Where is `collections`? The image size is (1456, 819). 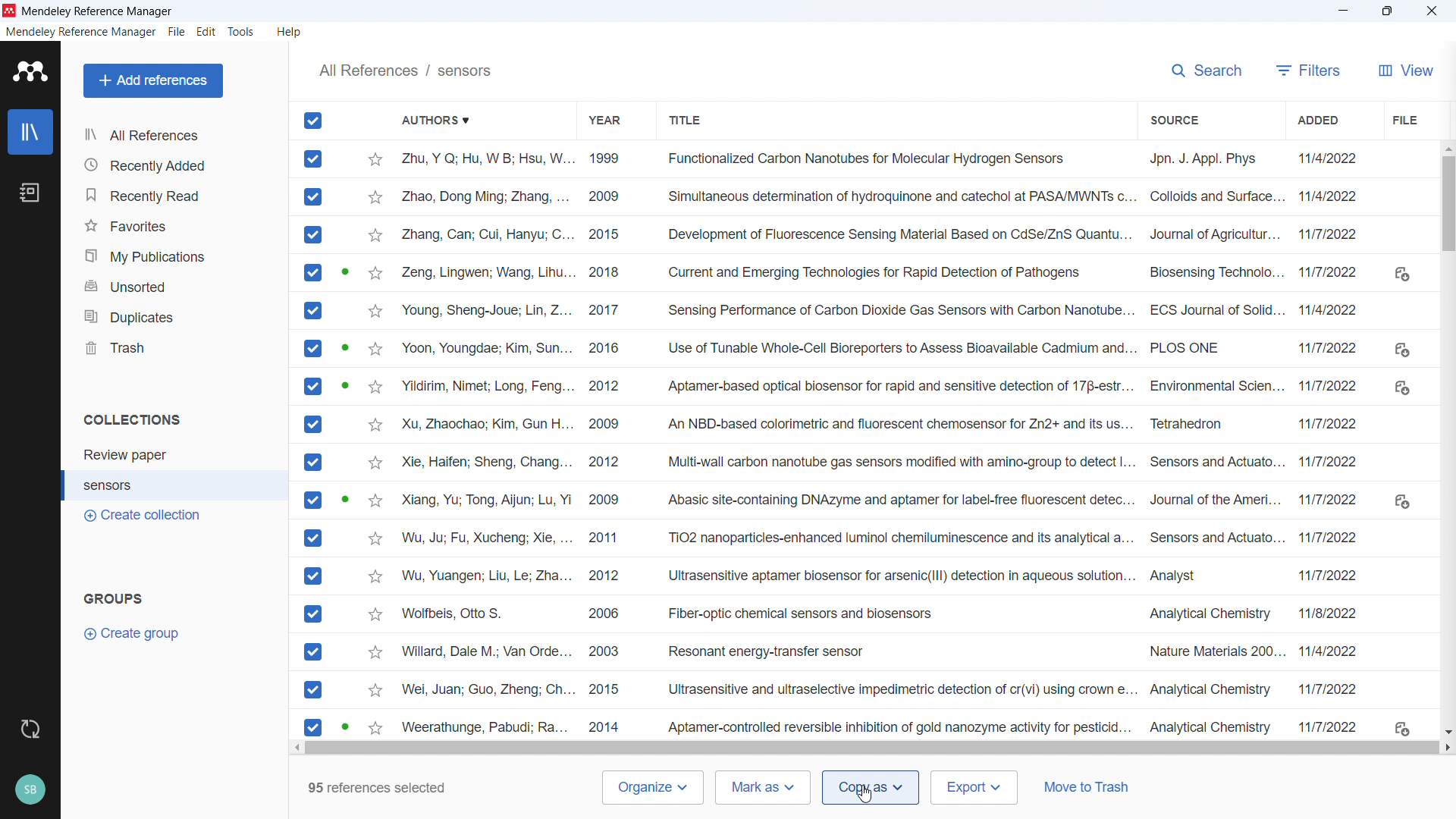 collections is located at coordinates (131, 419).